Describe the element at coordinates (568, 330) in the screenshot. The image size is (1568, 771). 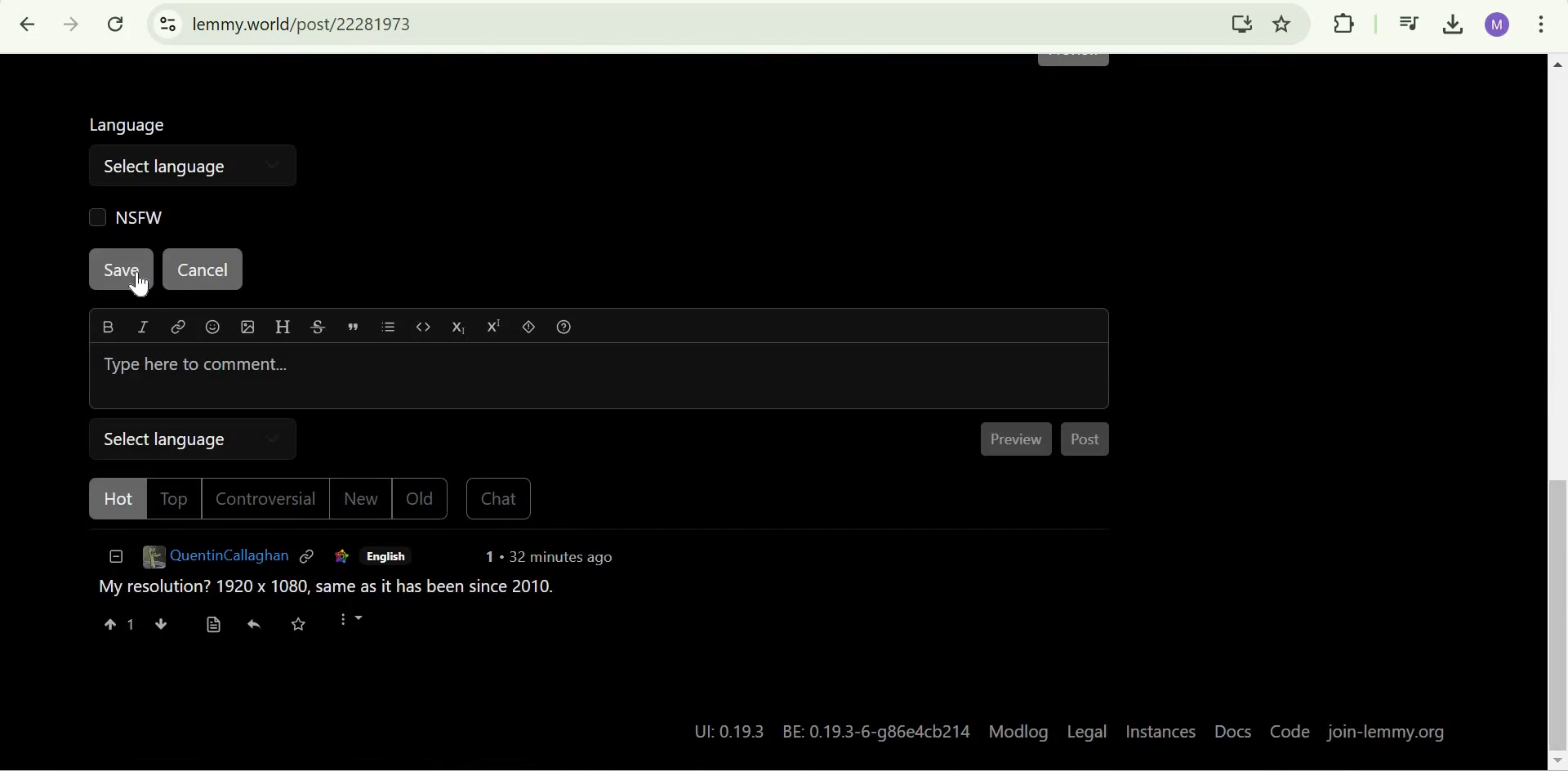
I see `formatting help` at that location.